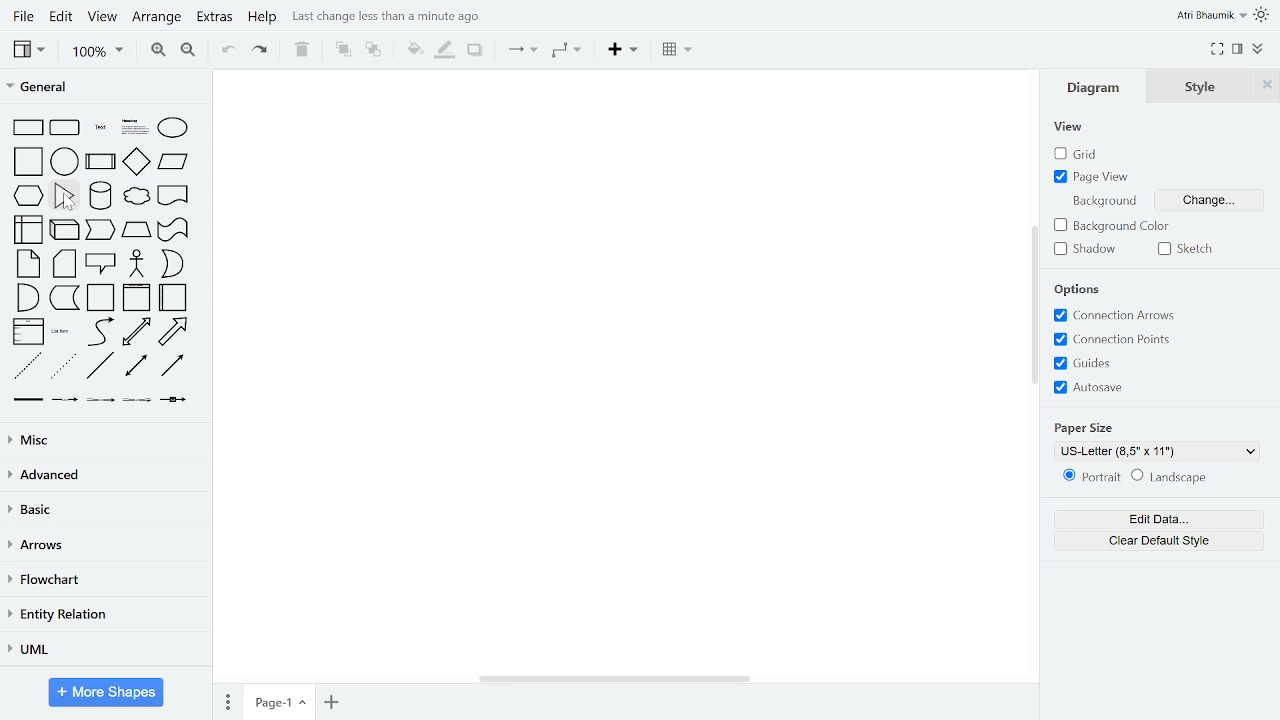  Describe the element at coordinates (63, 401) in the screenshot. I see `connector with label` at that location.